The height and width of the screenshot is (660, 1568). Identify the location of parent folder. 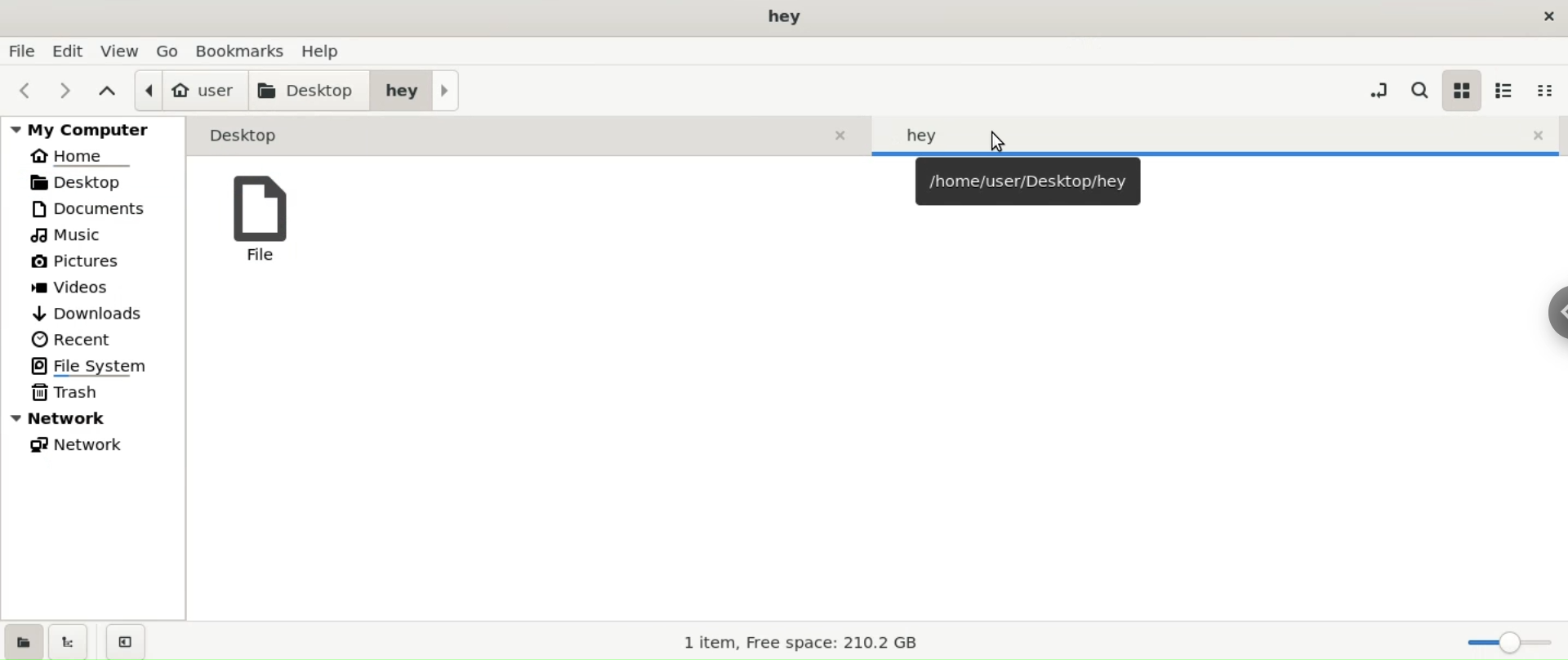
(105, 91).